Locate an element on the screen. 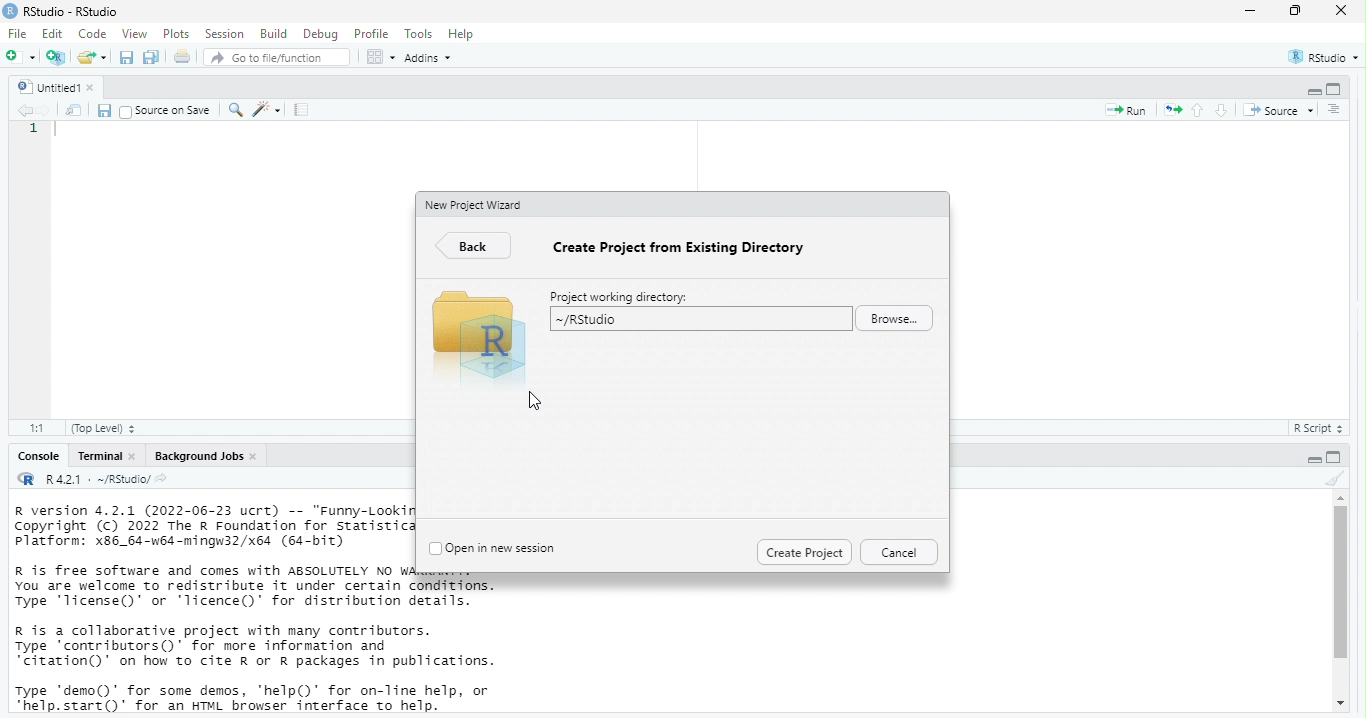  create a project is located at coordinates (57, 56).